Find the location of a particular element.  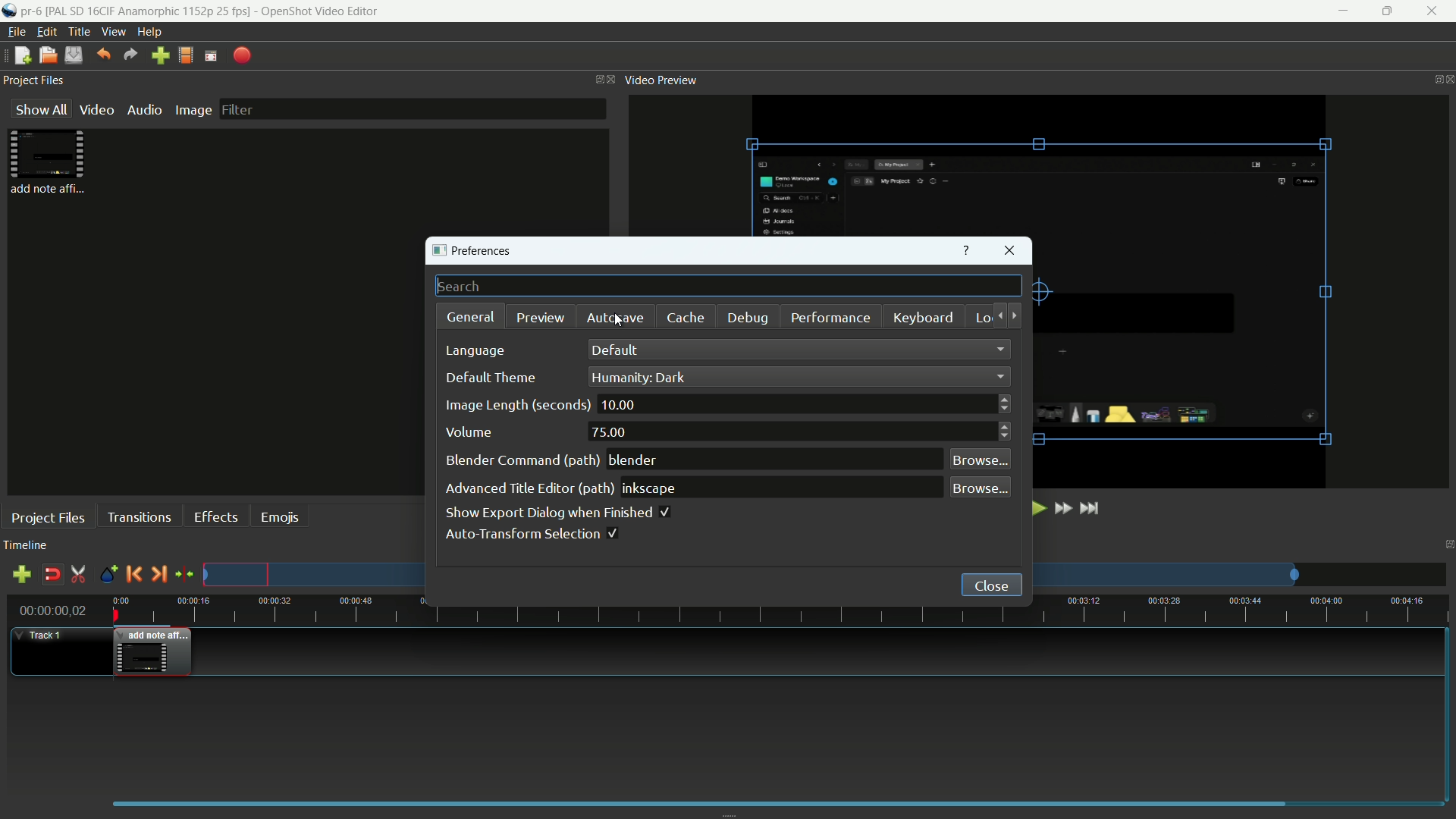

minimize is located at coordinates (1345, 11).